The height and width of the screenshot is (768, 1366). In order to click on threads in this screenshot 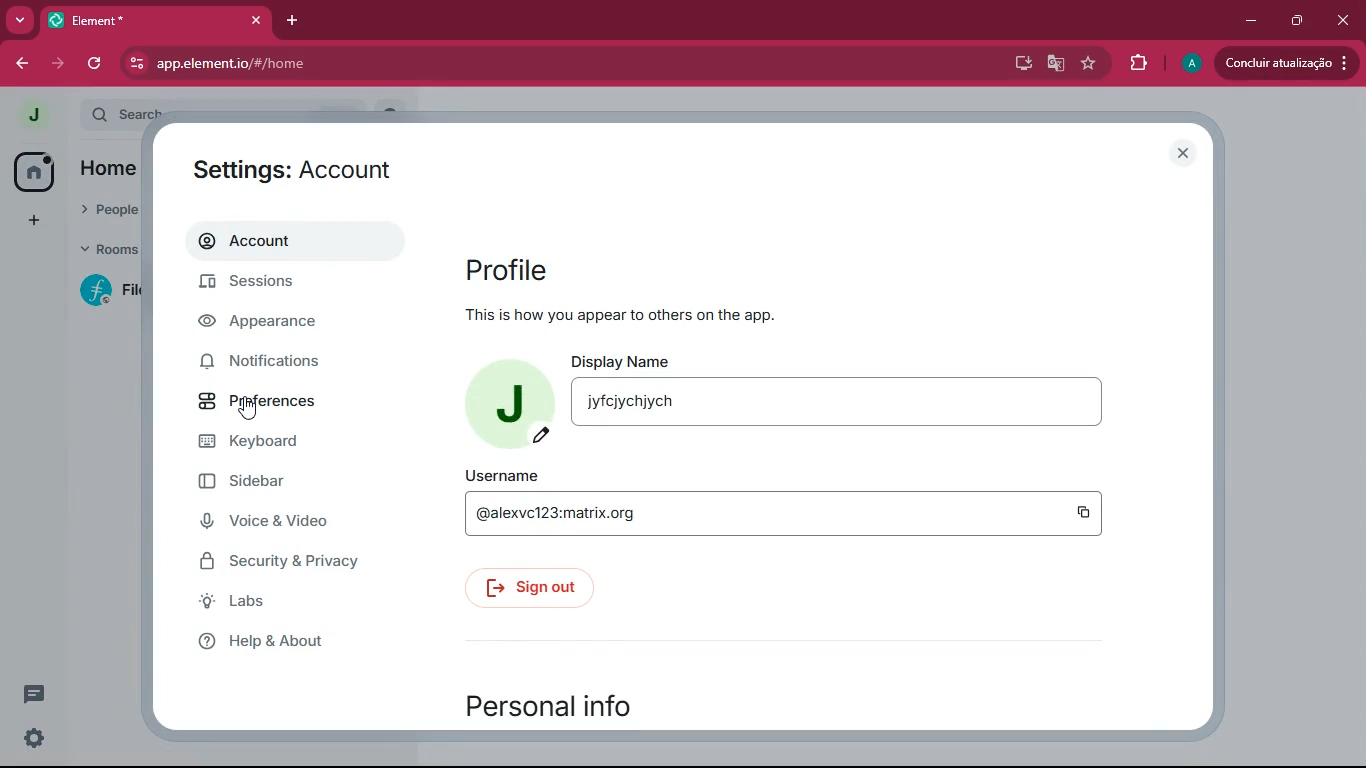, I will do `click(35, 695)`.